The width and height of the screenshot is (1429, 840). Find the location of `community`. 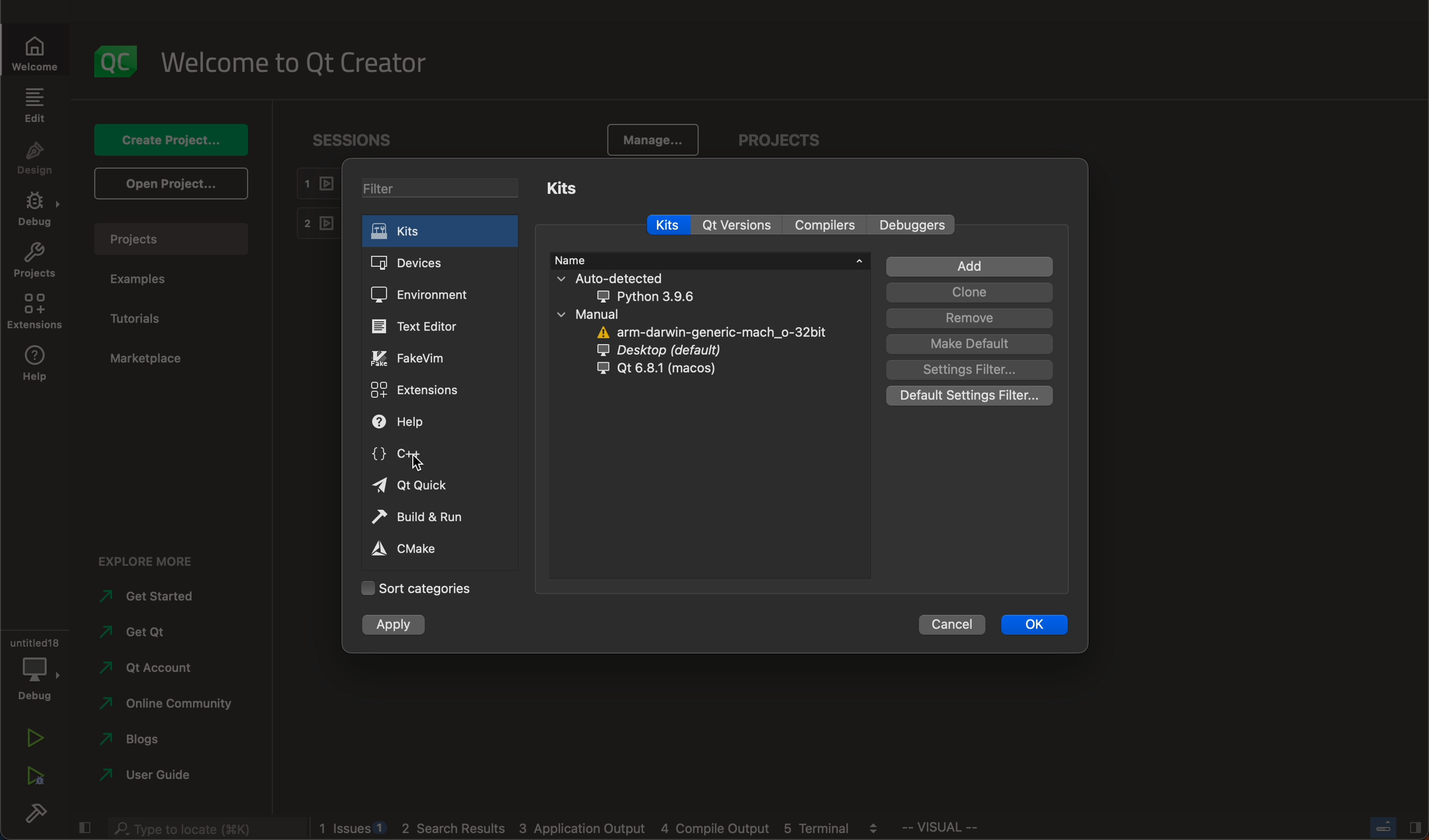

community is located at coordinates (166, 706).